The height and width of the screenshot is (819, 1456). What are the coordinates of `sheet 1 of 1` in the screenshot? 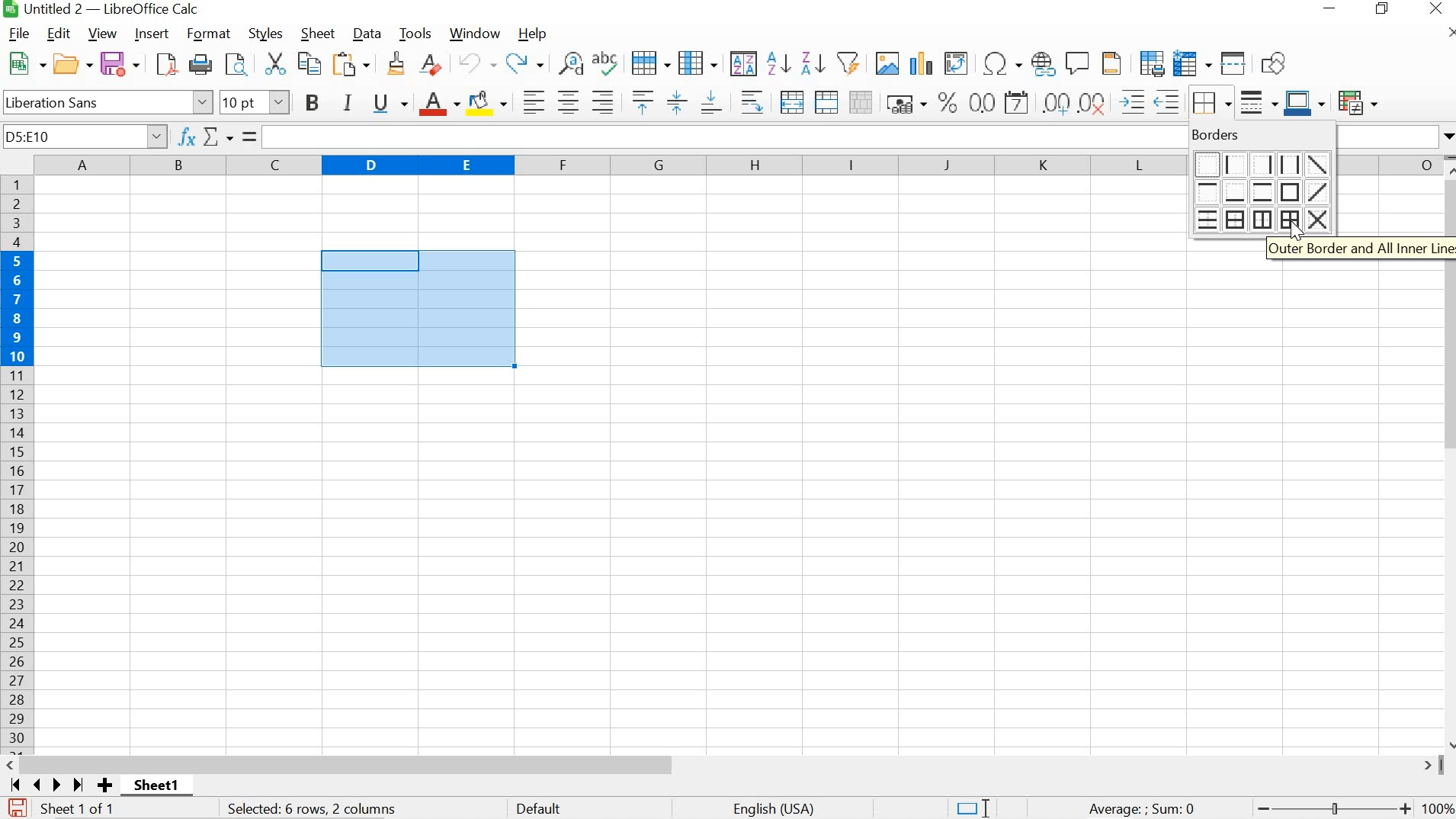 It's located at (163, 788).